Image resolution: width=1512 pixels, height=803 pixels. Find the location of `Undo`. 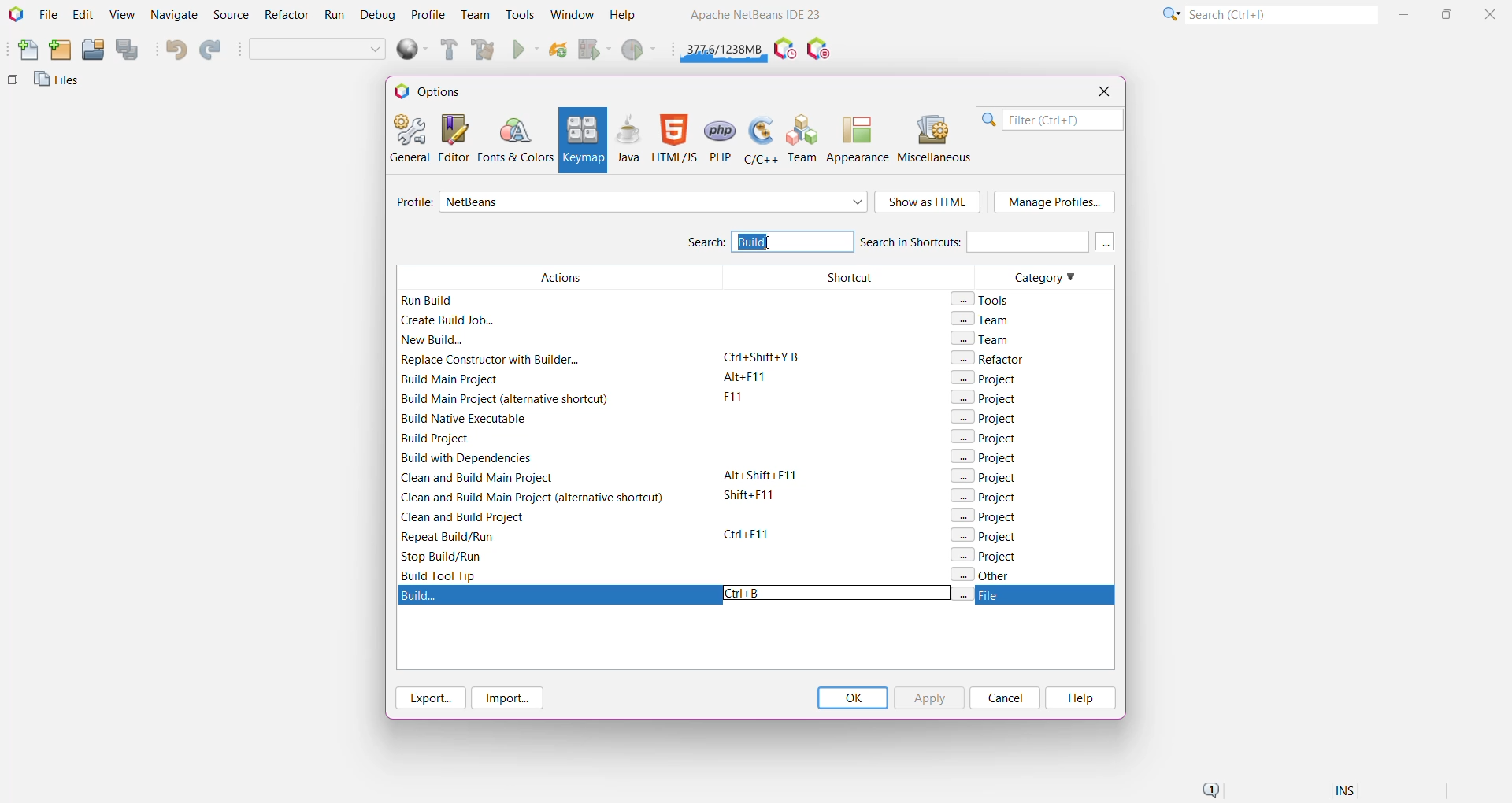

Undo is located at coordinates (175, 50).